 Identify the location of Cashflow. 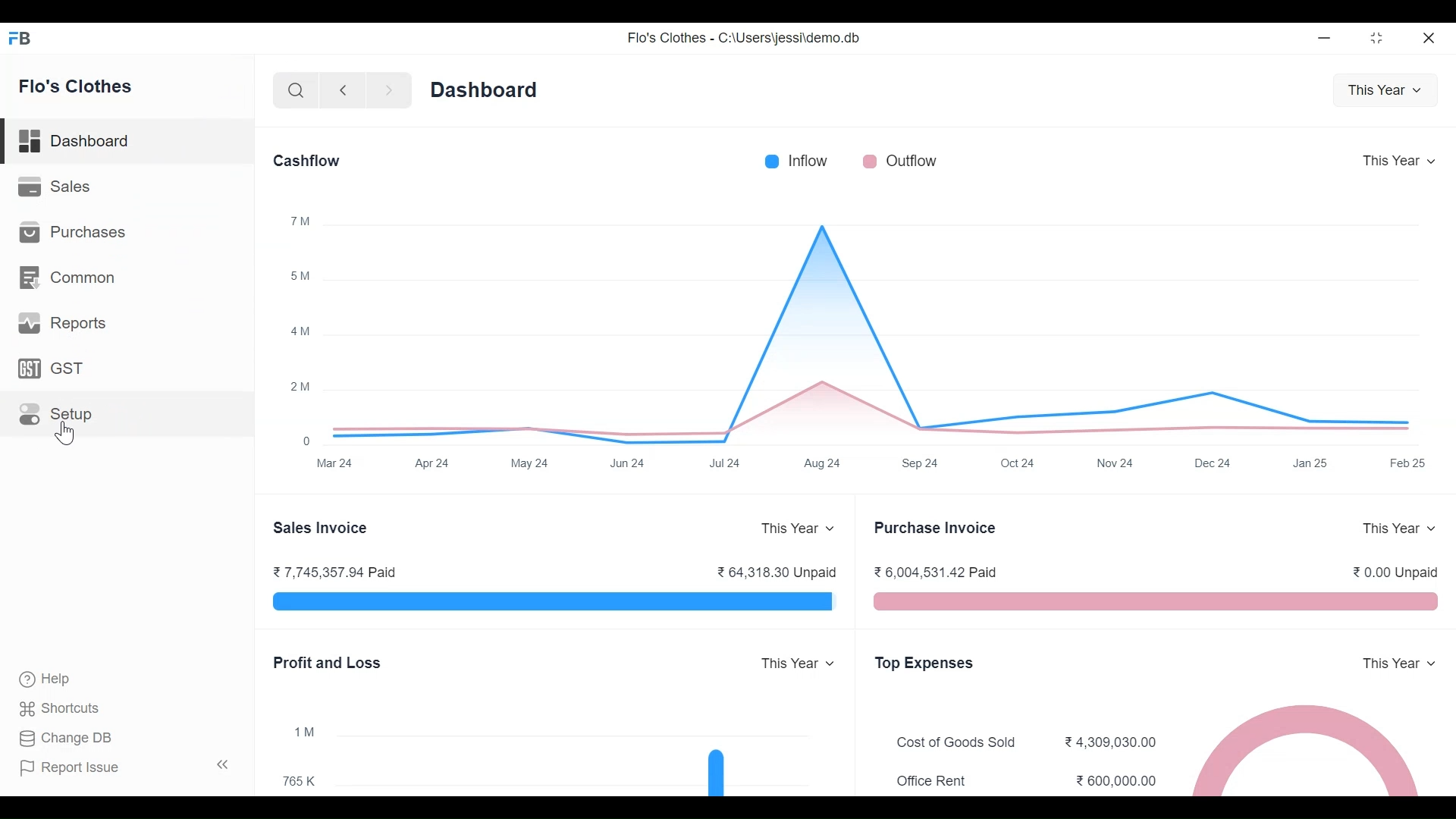
(308, 161).